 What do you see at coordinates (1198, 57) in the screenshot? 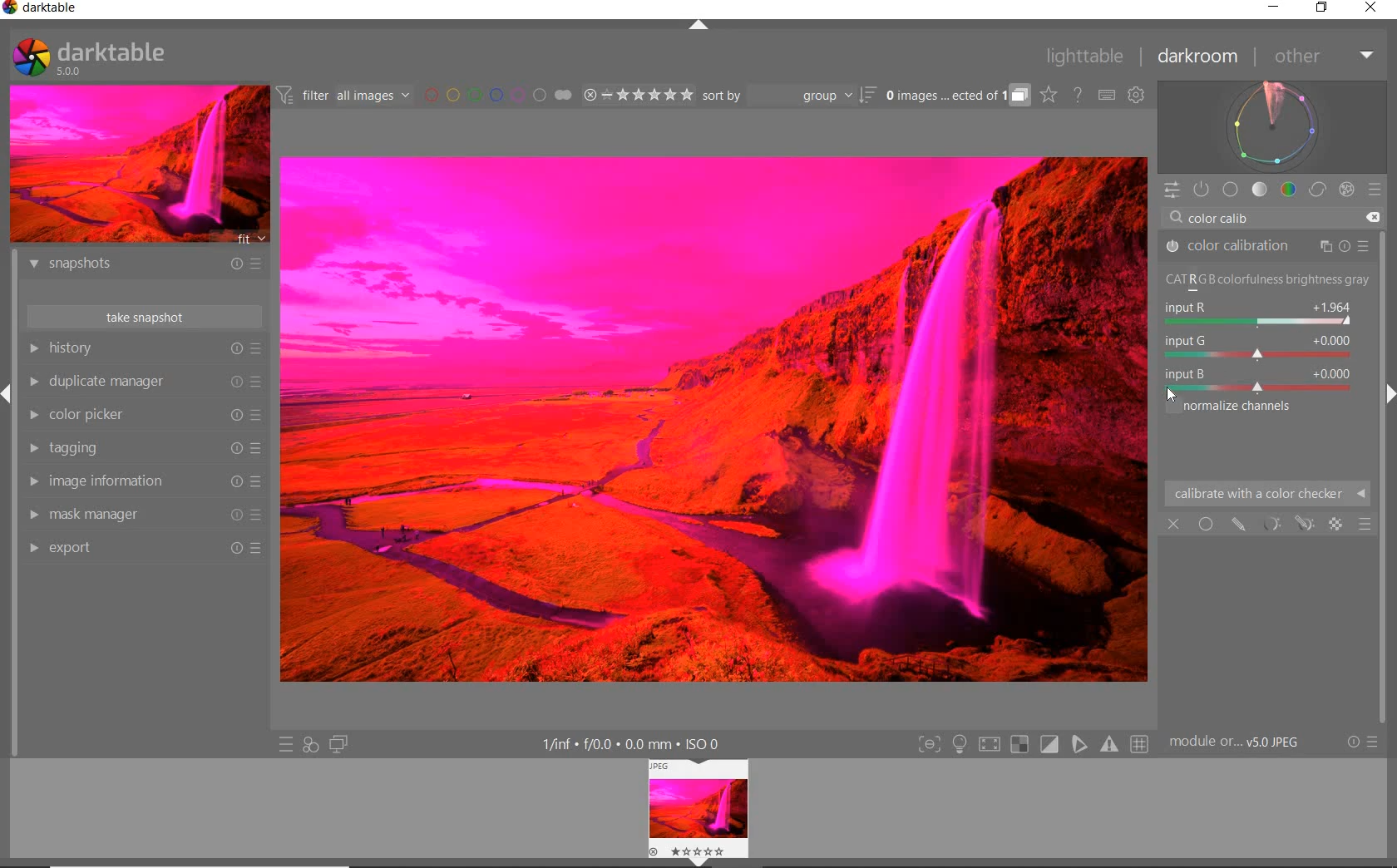
I see `darkroom` at bounding box center [1198, 57].